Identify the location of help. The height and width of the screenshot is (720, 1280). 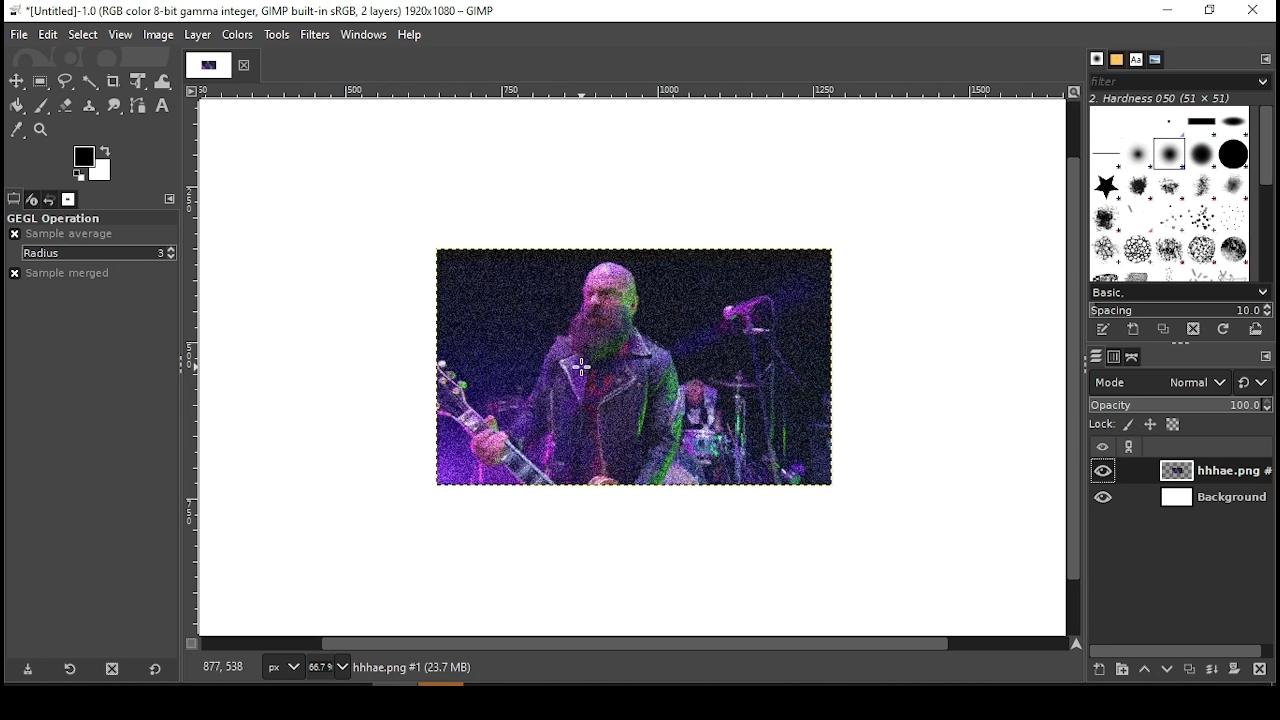
(412, 35).